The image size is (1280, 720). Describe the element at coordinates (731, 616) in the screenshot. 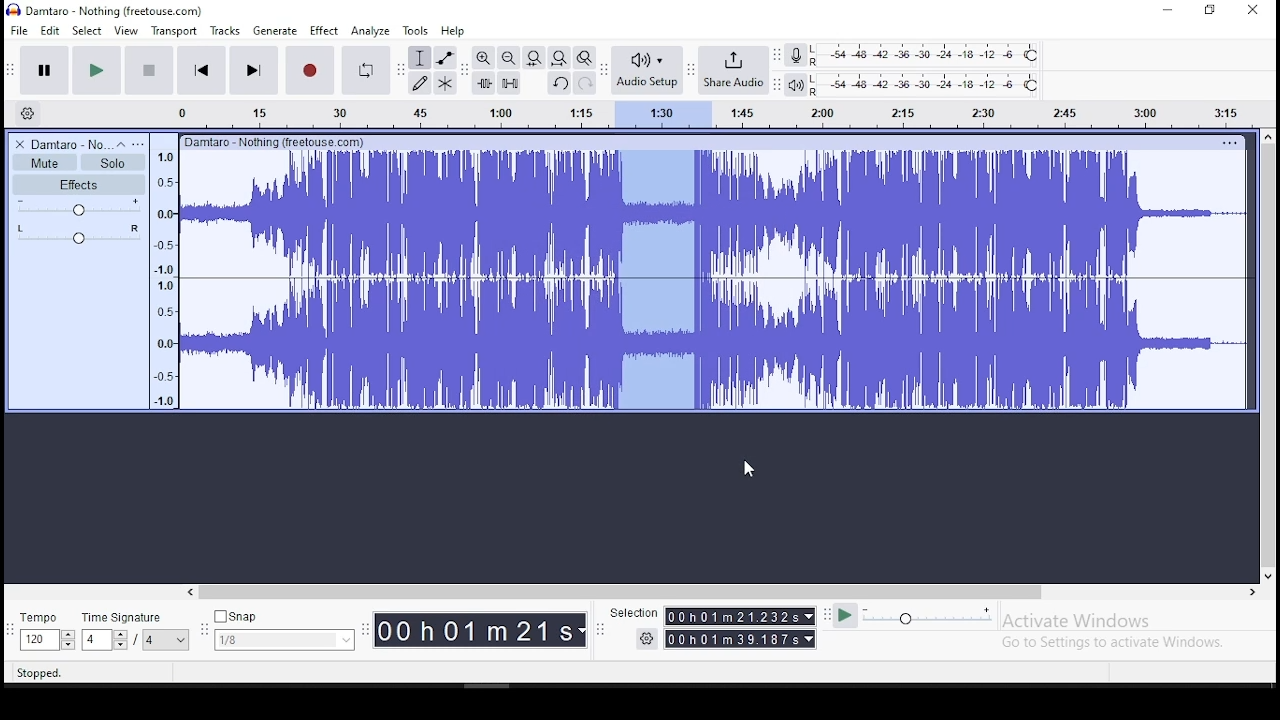

I see `00Oh01m 21.232` at that location.